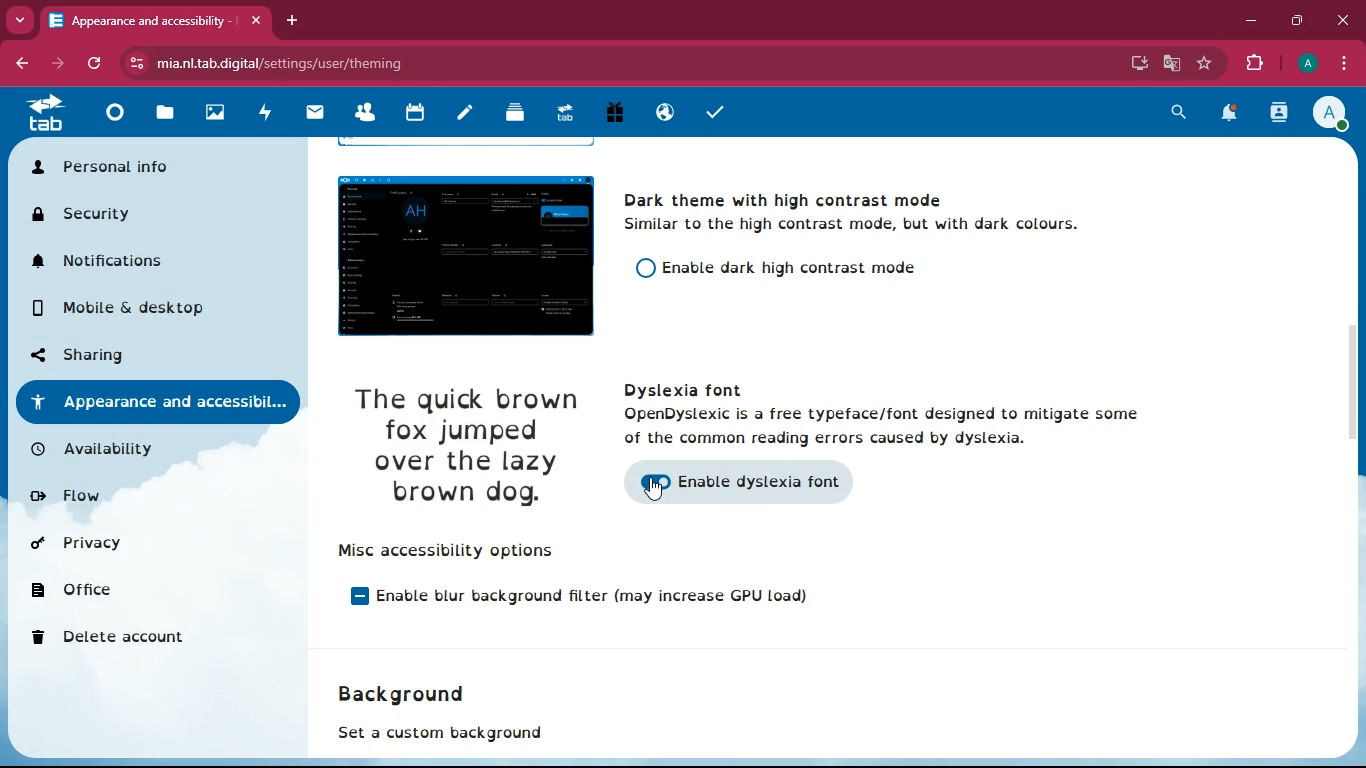 This screenshot has width=1366, height=768. I want to click on minimize, so click(1248, 20).